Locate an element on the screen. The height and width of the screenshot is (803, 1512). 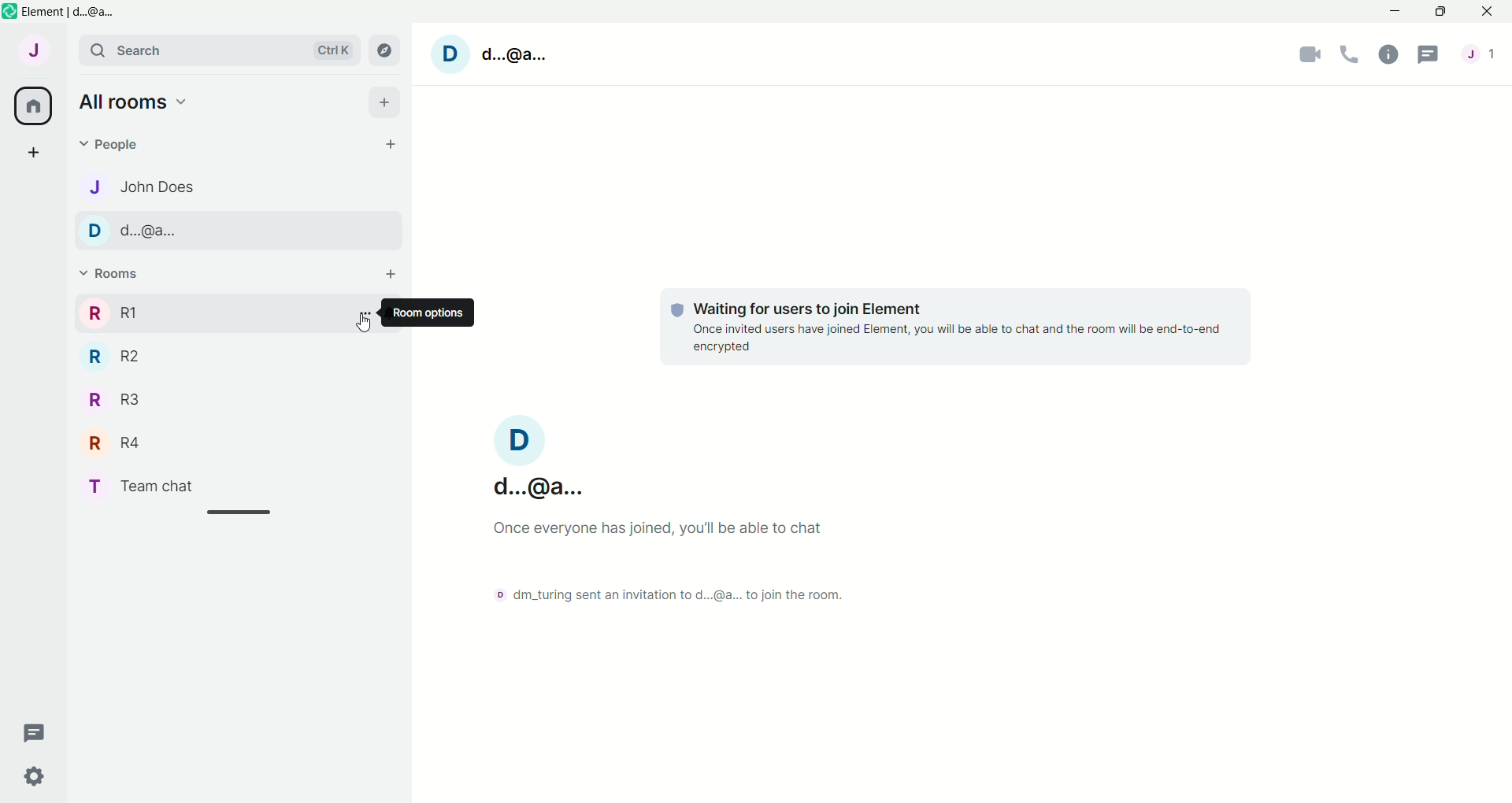
John Does is located at coordinates (157, 190).